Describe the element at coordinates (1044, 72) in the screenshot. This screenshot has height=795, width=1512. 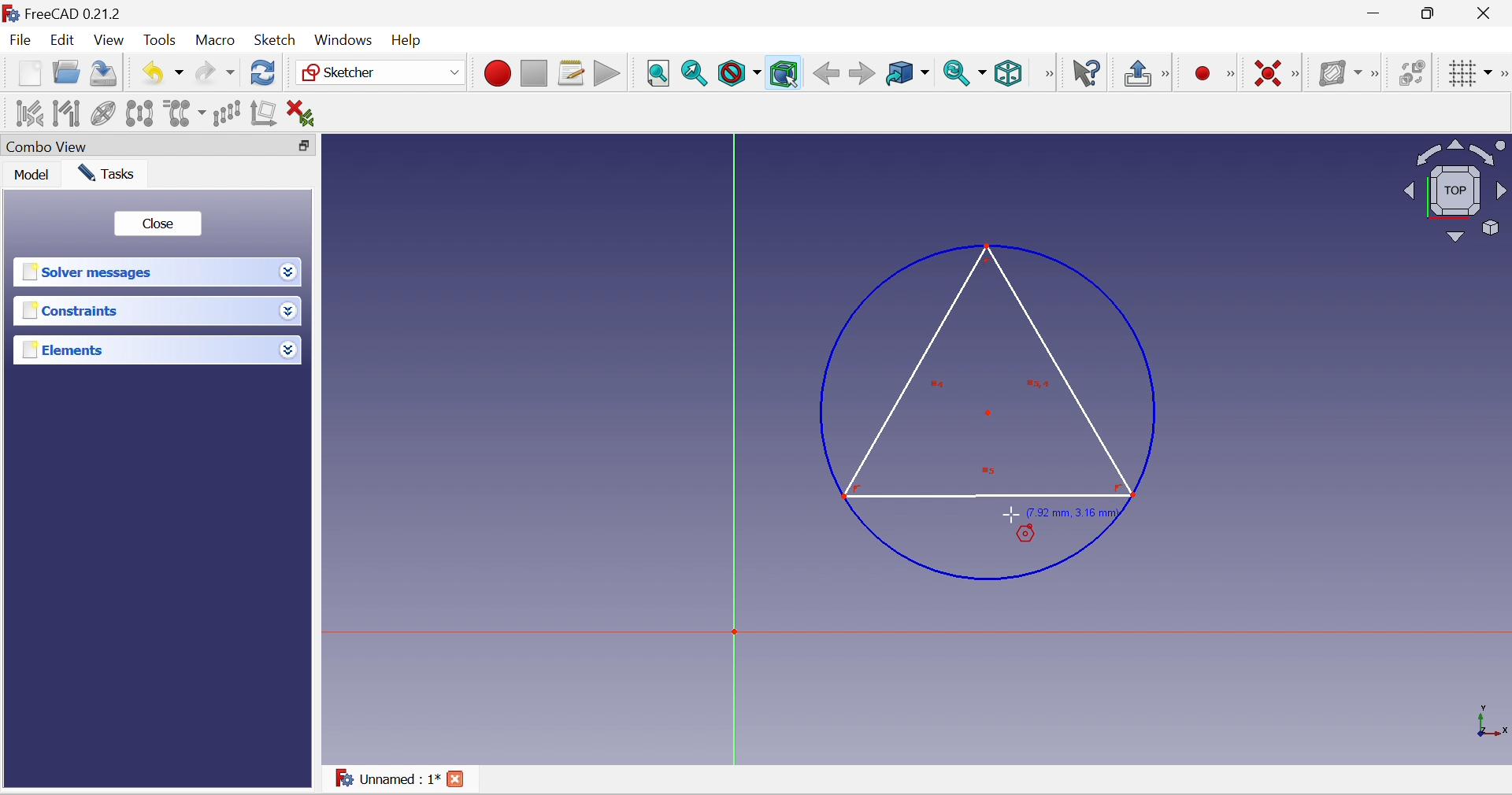
I see `[View]` at that location.